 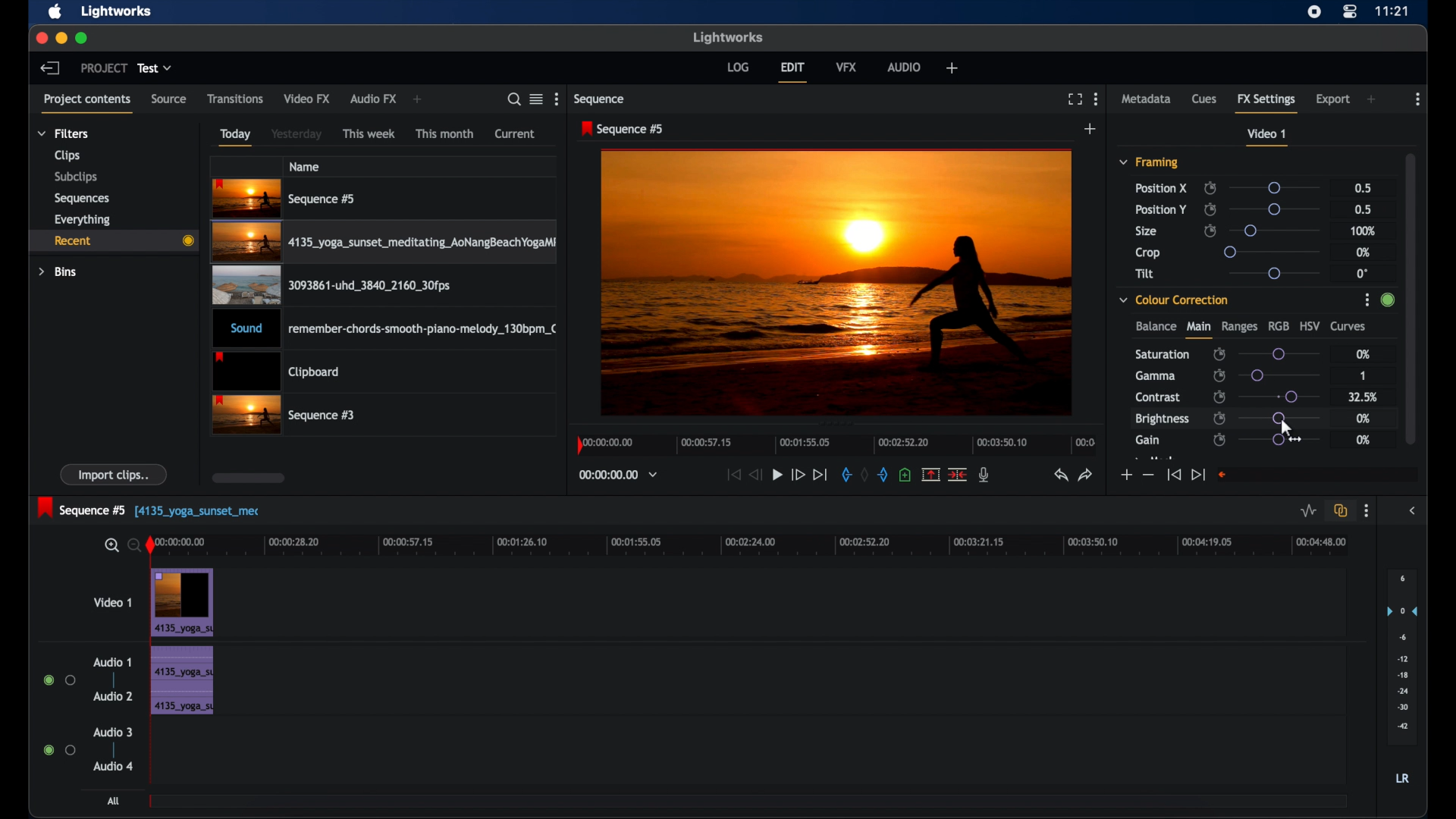 I want to click on tilt, so click(x=1145, y=274).